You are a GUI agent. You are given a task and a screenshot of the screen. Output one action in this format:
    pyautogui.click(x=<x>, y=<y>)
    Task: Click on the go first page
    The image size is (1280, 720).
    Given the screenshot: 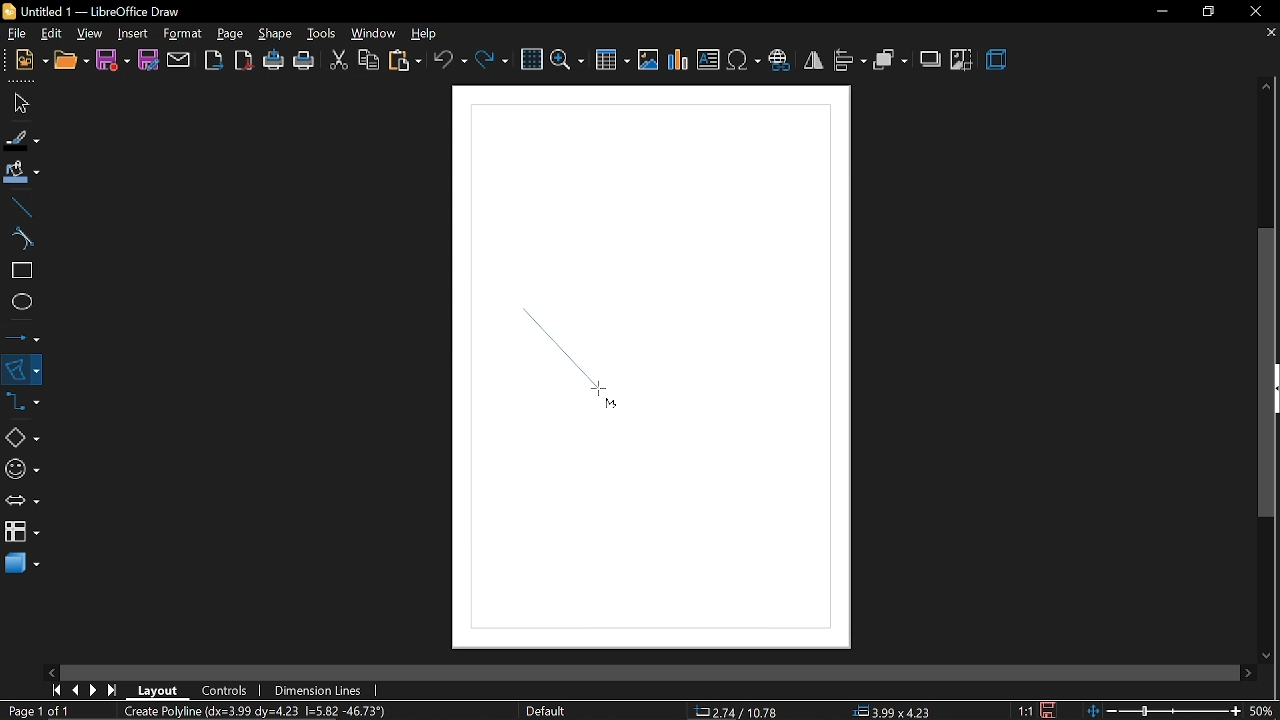 What is the action you would take?
    pyautogui.click(x=56, y=690)
    